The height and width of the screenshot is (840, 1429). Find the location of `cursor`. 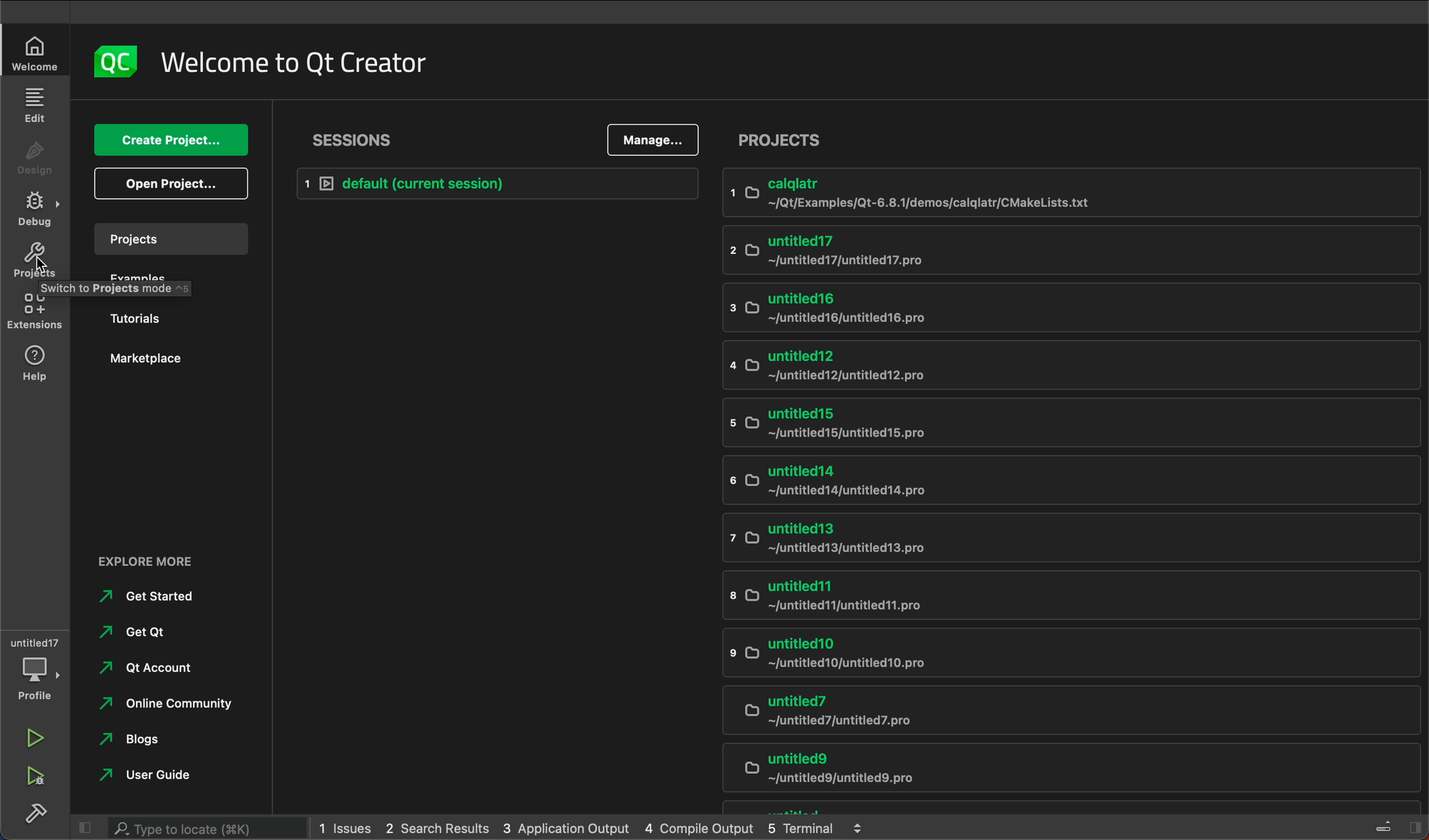

cursor is located at coordinates (40, 266).